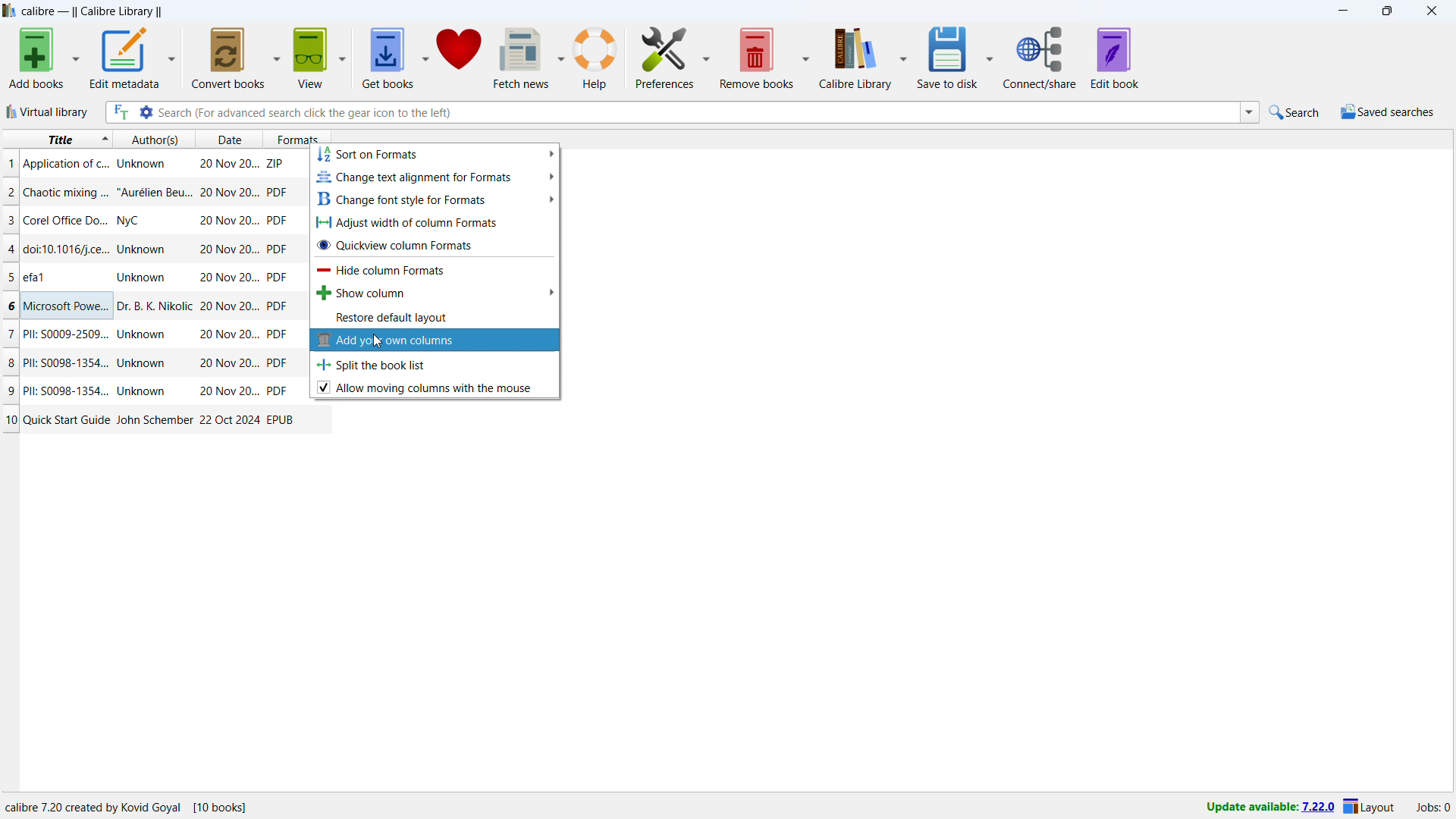  What do you see at coordinates (278, 57) in the screenshot?
I see `convert books options` at bounding box center [278, 57].